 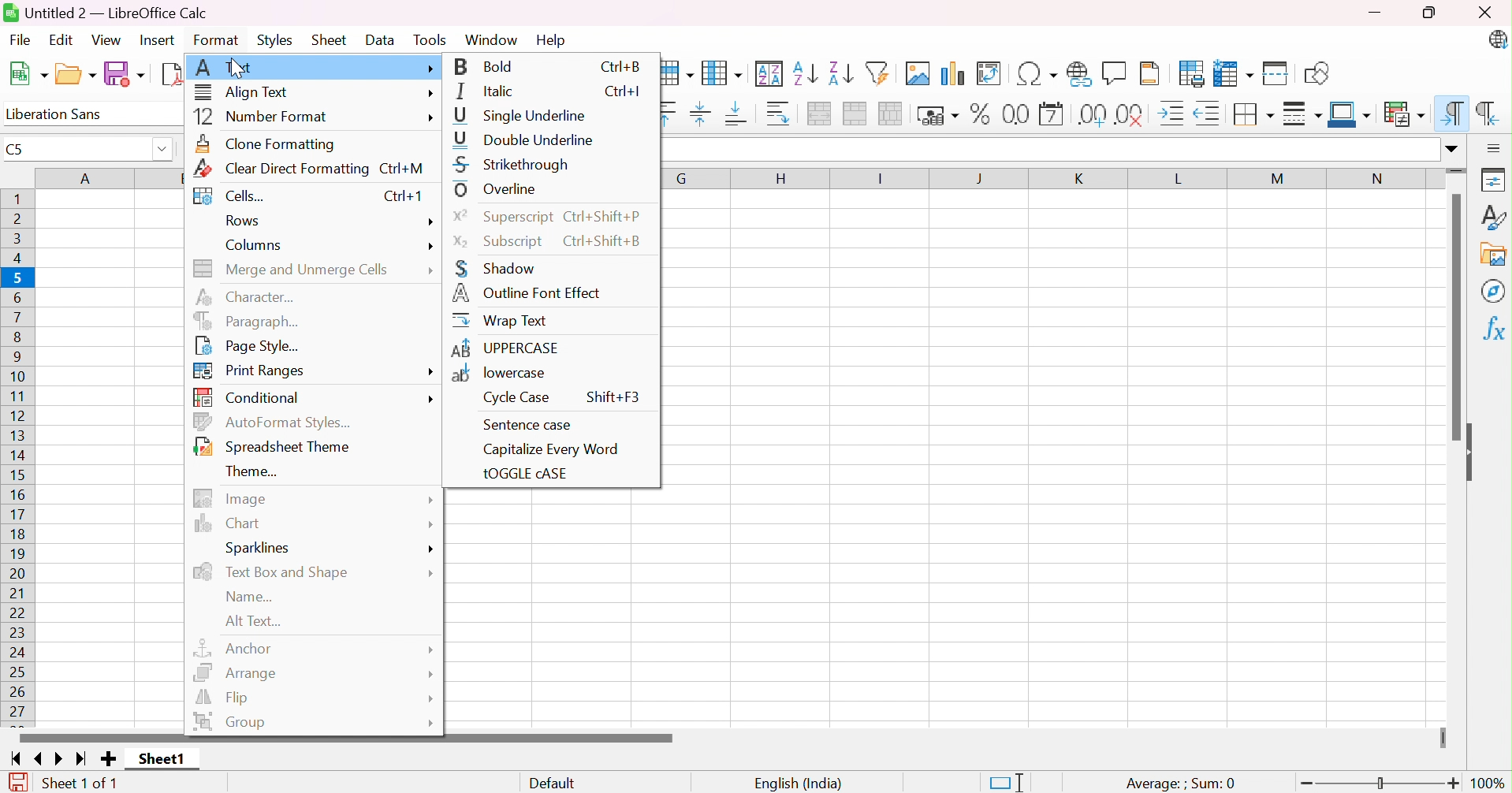 What do you see at coordinates (161, 760) in the screenshot?
I see `Sheet1` at bounding box center [161, 760].